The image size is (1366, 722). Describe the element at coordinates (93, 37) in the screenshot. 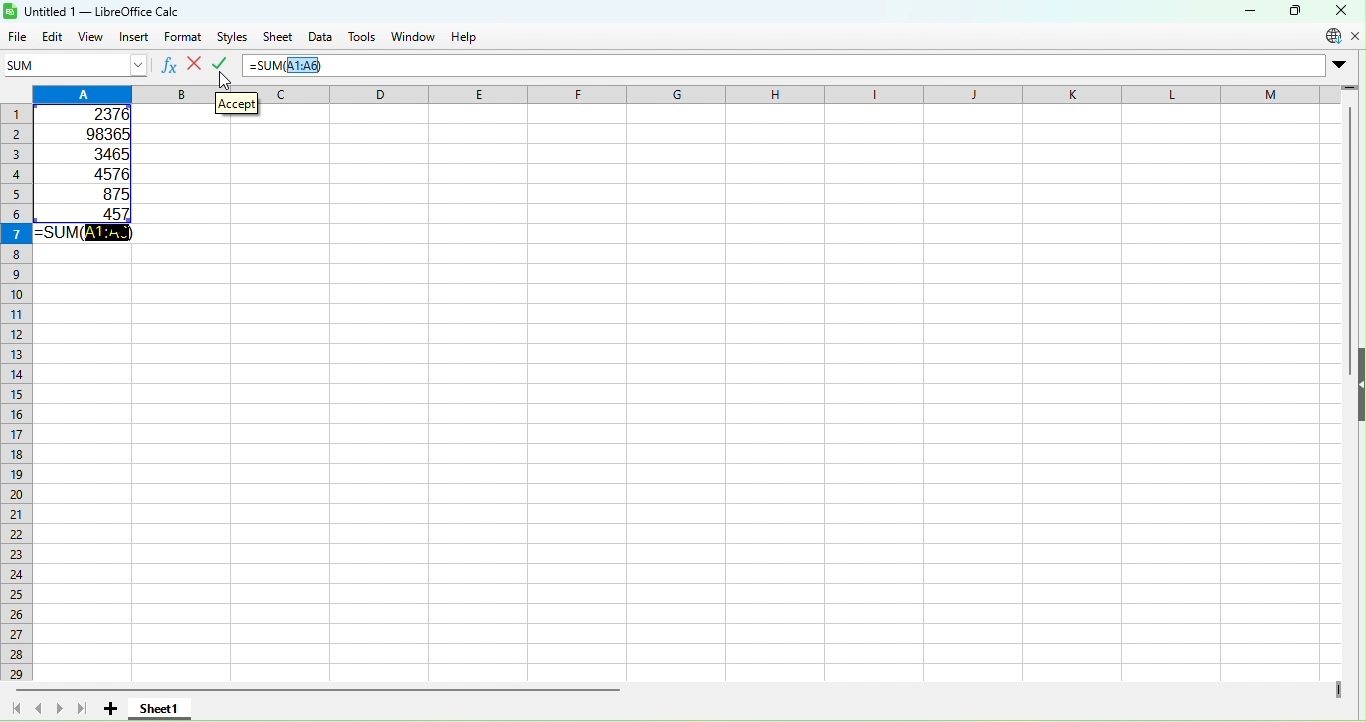

I see `View` at that location.